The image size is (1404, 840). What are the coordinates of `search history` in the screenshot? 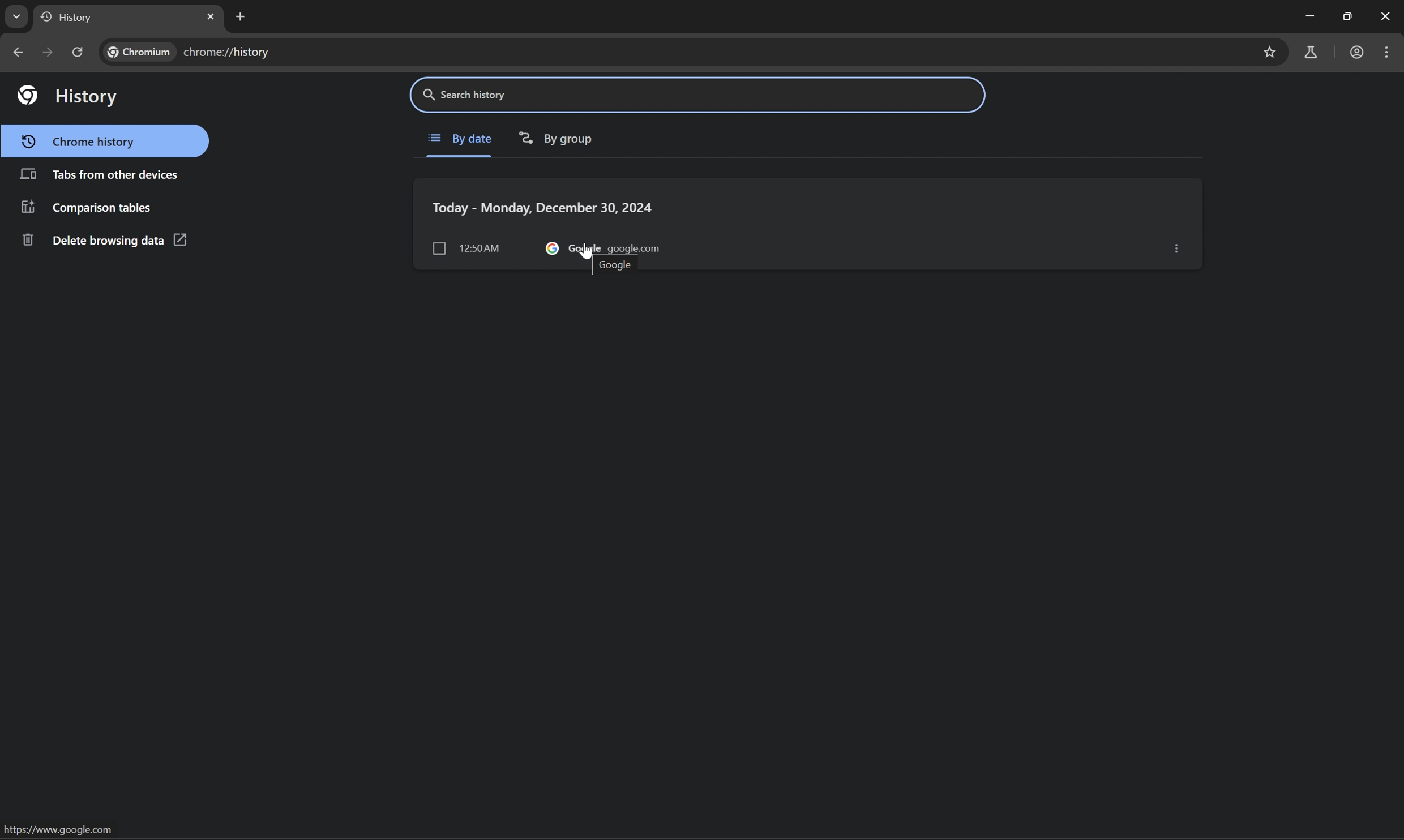 It's located at (697, 96).